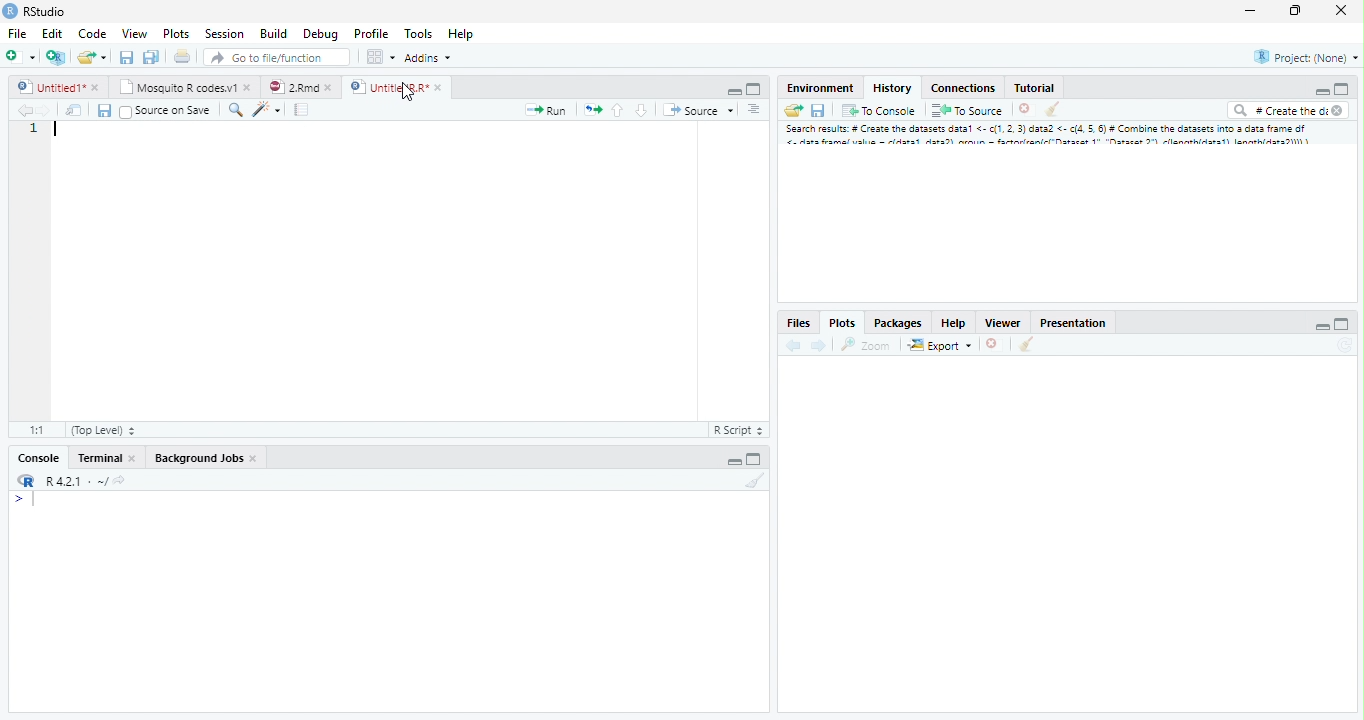 This screenshot has height=720, width=1364. Describe the element at coordinates (56, 55) in the screenshot. I see `Create a project` at that location.